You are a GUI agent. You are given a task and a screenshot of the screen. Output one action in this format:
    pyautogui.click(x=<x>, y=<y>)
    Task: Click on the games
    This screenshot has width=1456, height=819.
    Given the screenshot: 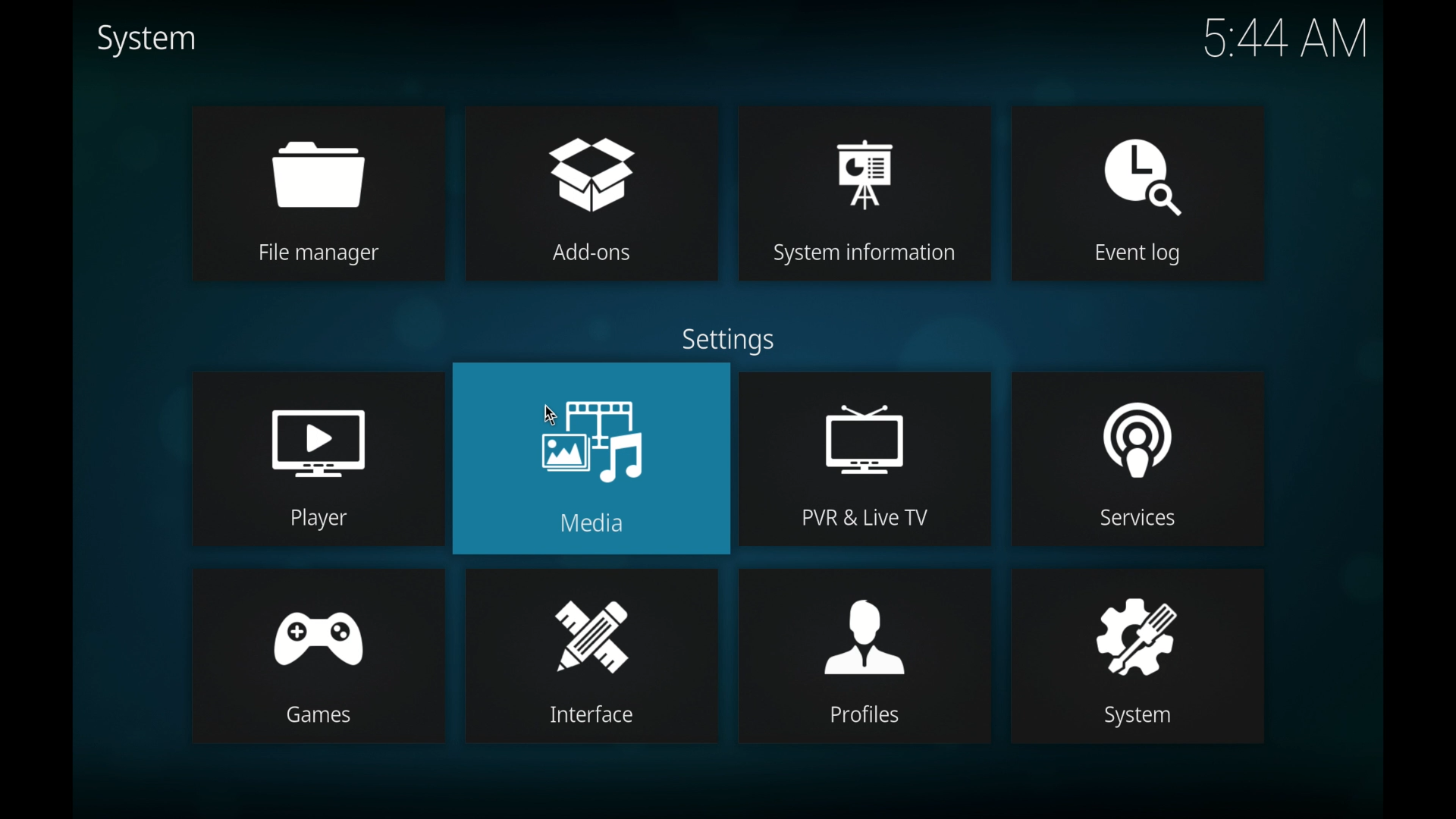 What is the action you would take?
    pyautogui.click(x=318, y=655)
    